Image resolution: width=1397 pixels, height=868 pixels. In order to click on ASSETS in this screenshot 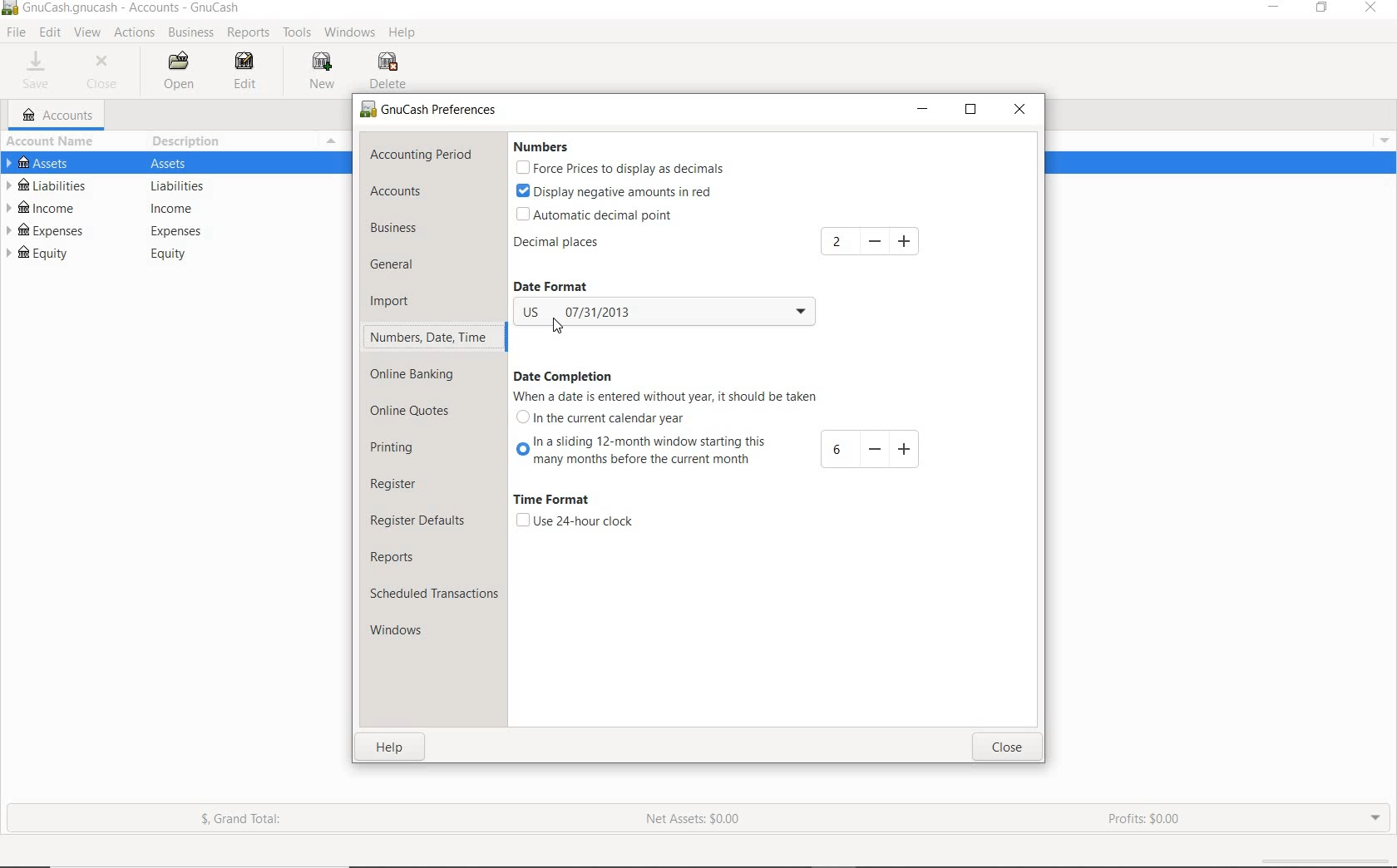, I will do `click(175, 165)`.